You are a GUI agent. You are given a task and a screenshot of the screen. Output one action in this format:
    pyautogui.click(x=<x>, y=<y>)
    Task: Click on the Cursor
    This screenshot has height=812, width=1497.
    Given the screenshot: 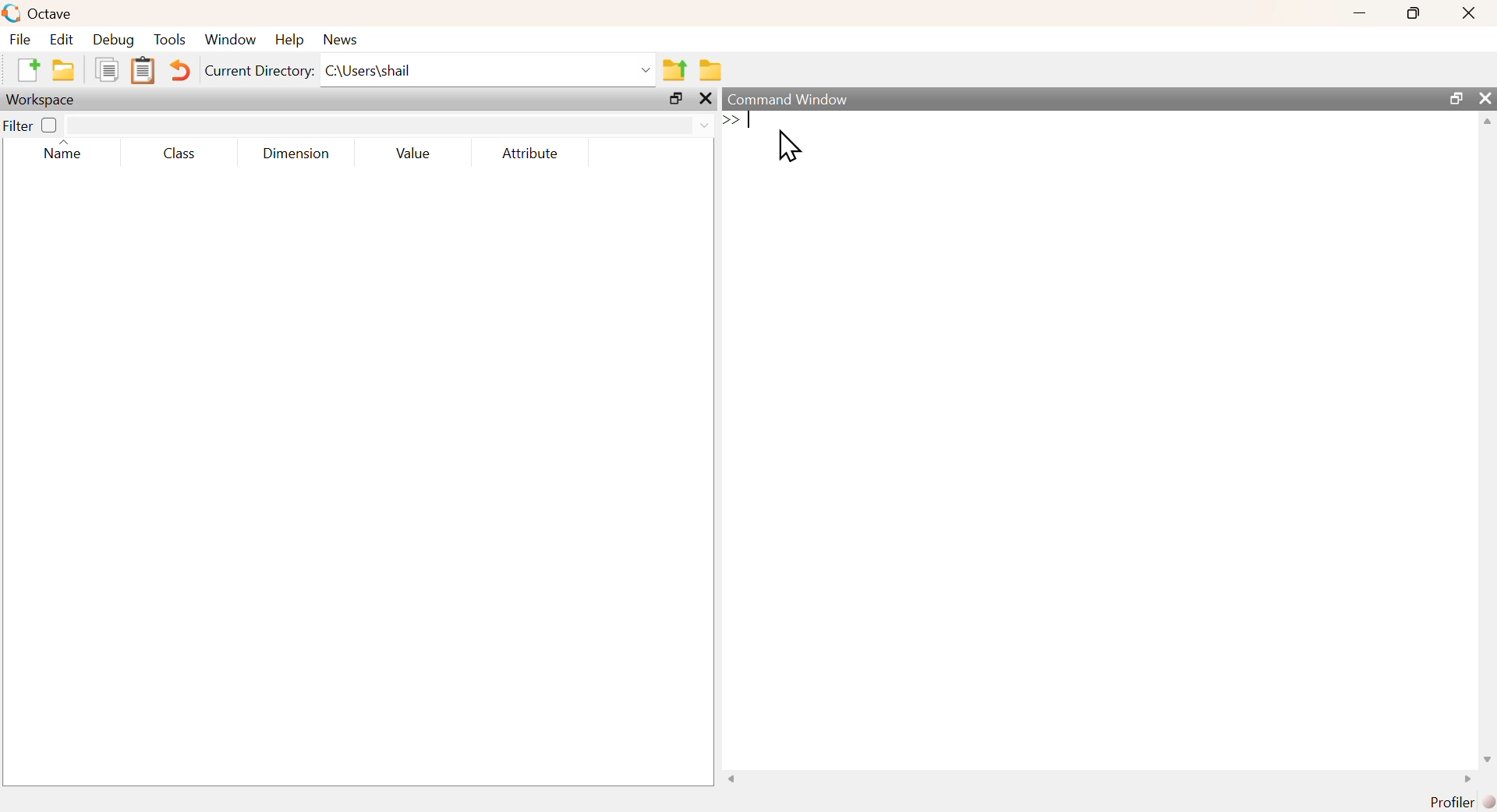 What is the action you would take?
    pyautogui.click(x=793, y=148)
    